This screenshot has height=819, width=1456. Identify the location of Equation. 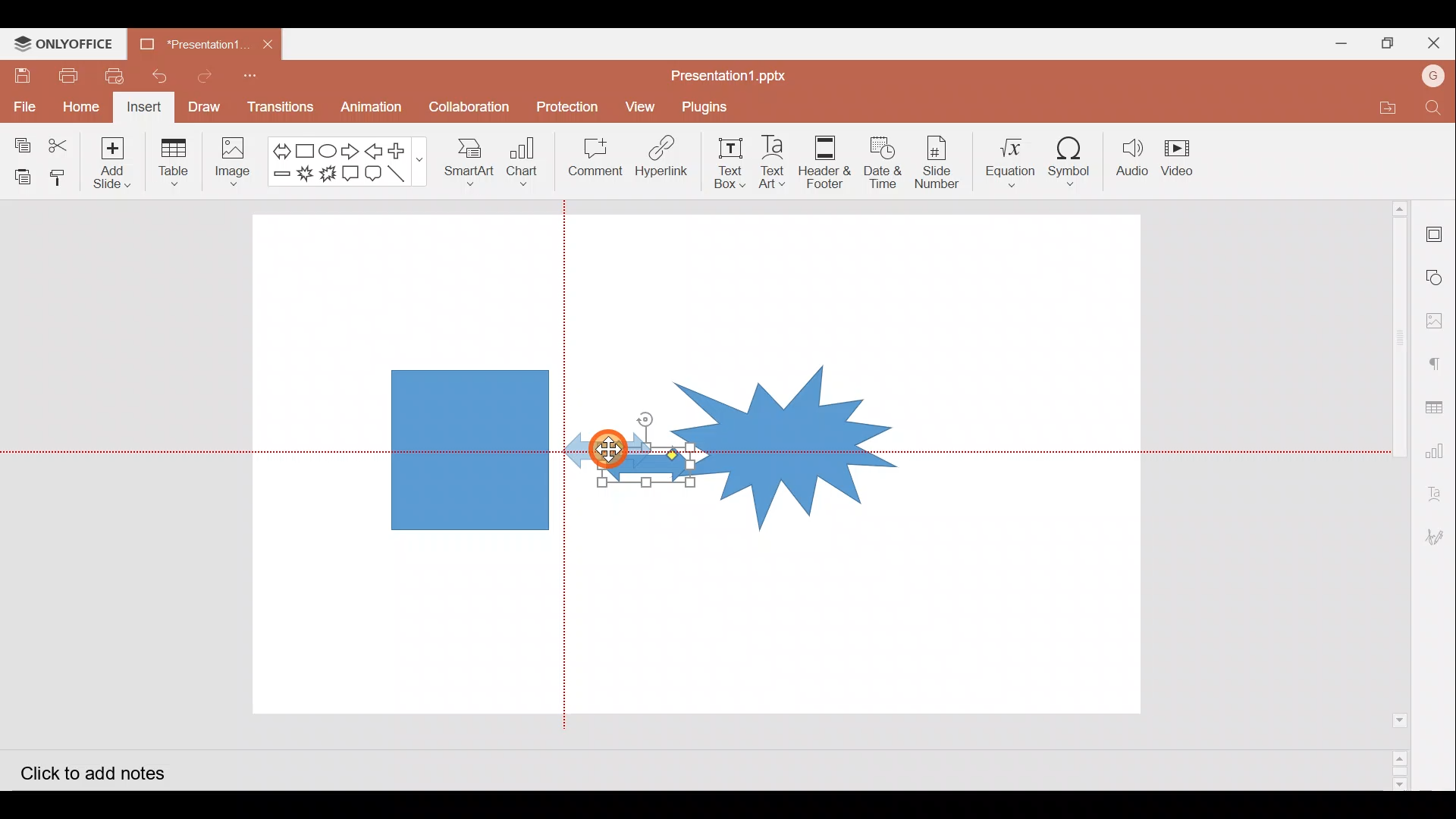
(1006, 160).